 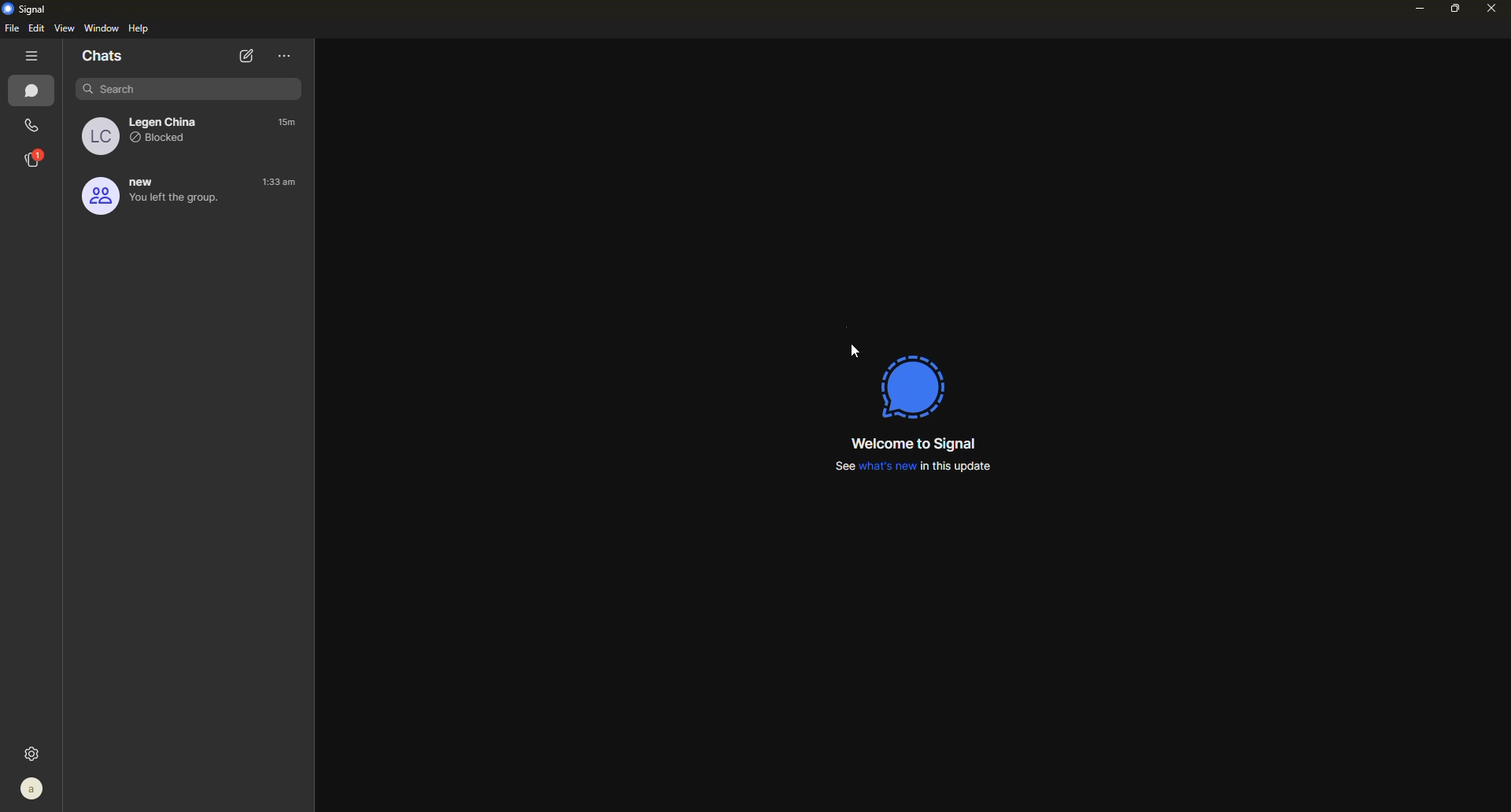 I want to click on icon, so click(x=917, y=384).